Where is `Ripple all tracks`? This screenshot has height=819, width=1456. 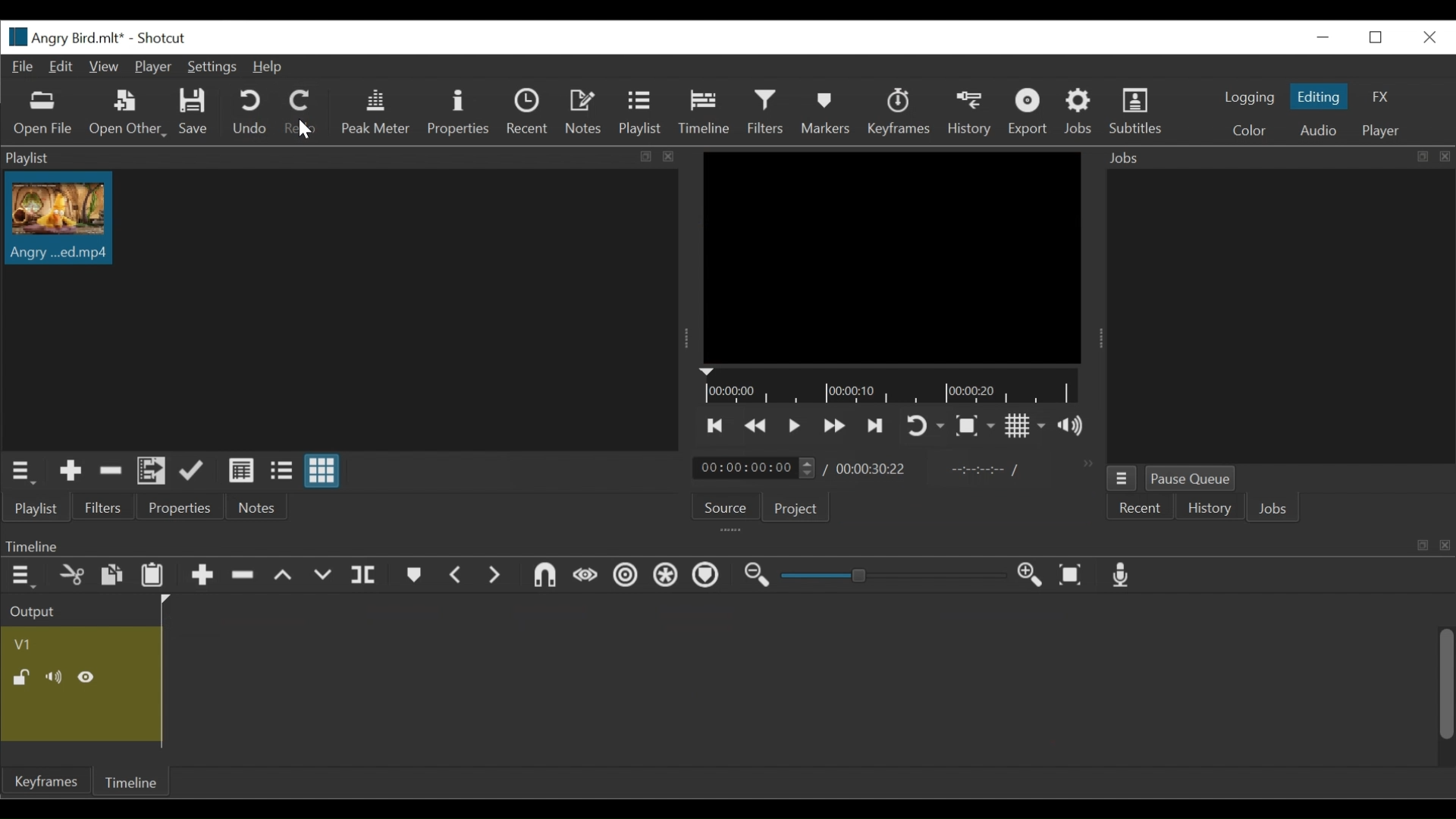 Ripple all tracks is located at coordinates (667, 577).